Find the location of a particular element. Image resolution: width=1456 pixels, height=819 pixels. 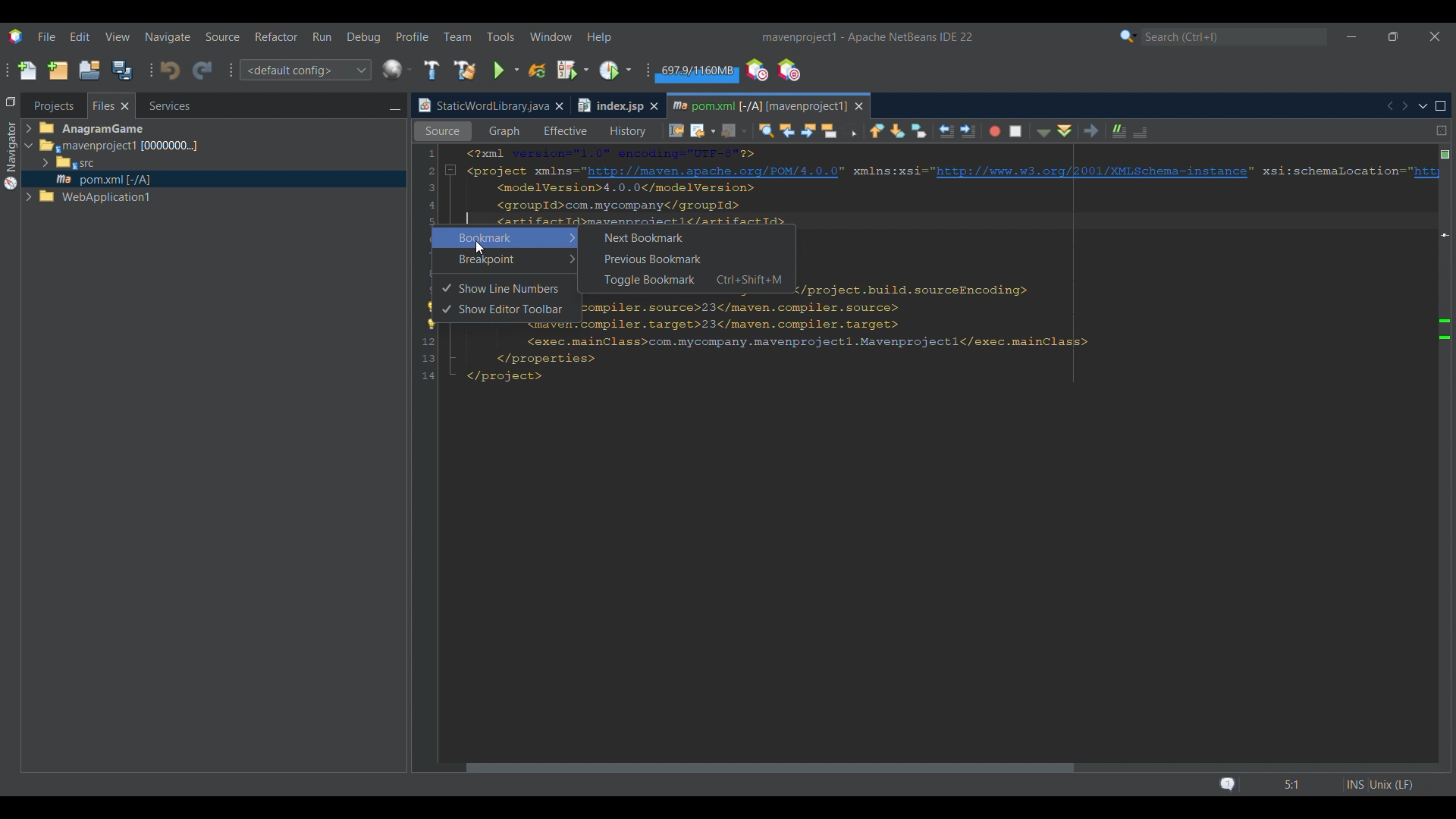

Projects tab is located at coordinates (53, 105).